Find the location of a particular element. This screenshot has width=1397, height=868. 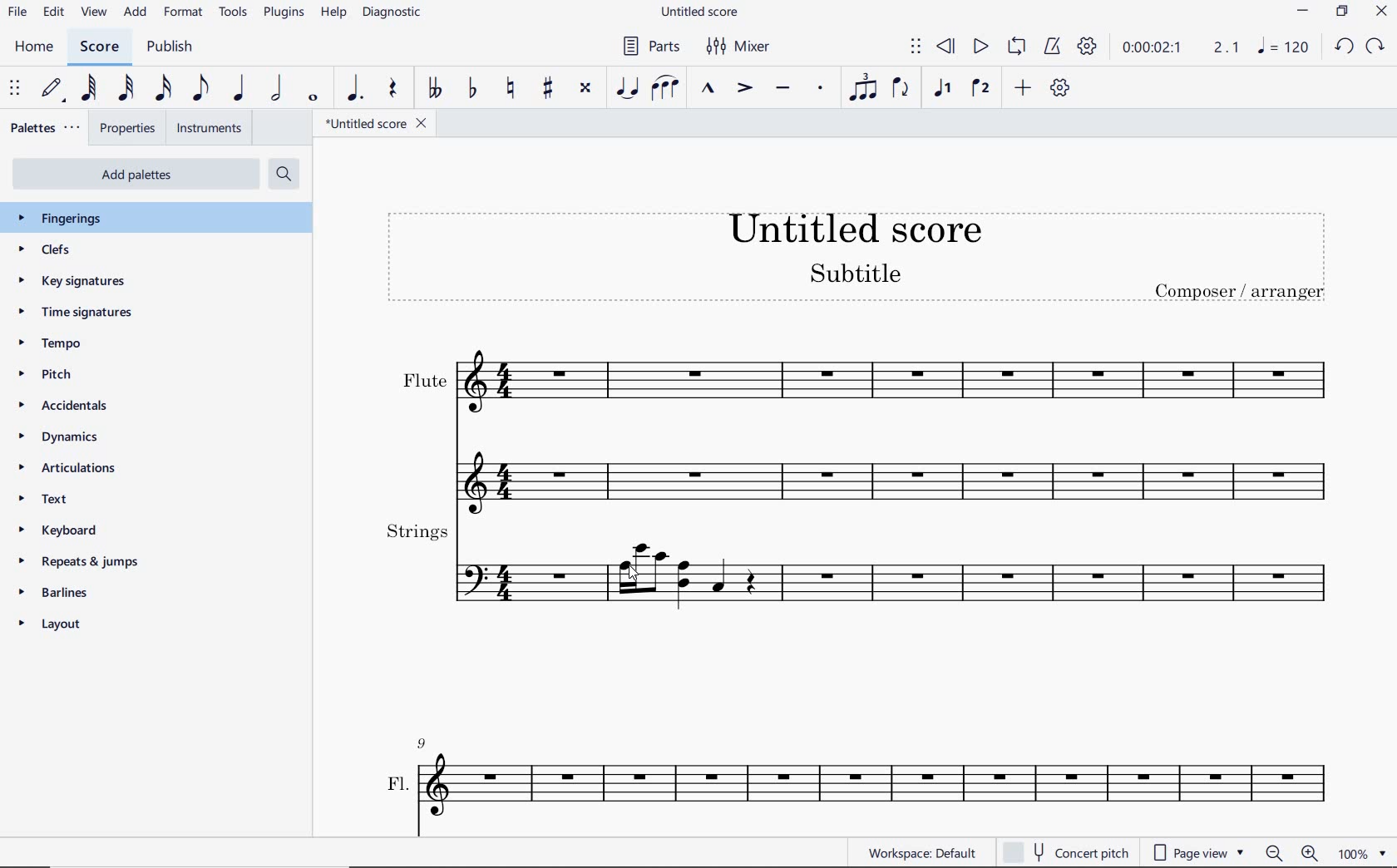

page view is located at coordinates (1198, 851).